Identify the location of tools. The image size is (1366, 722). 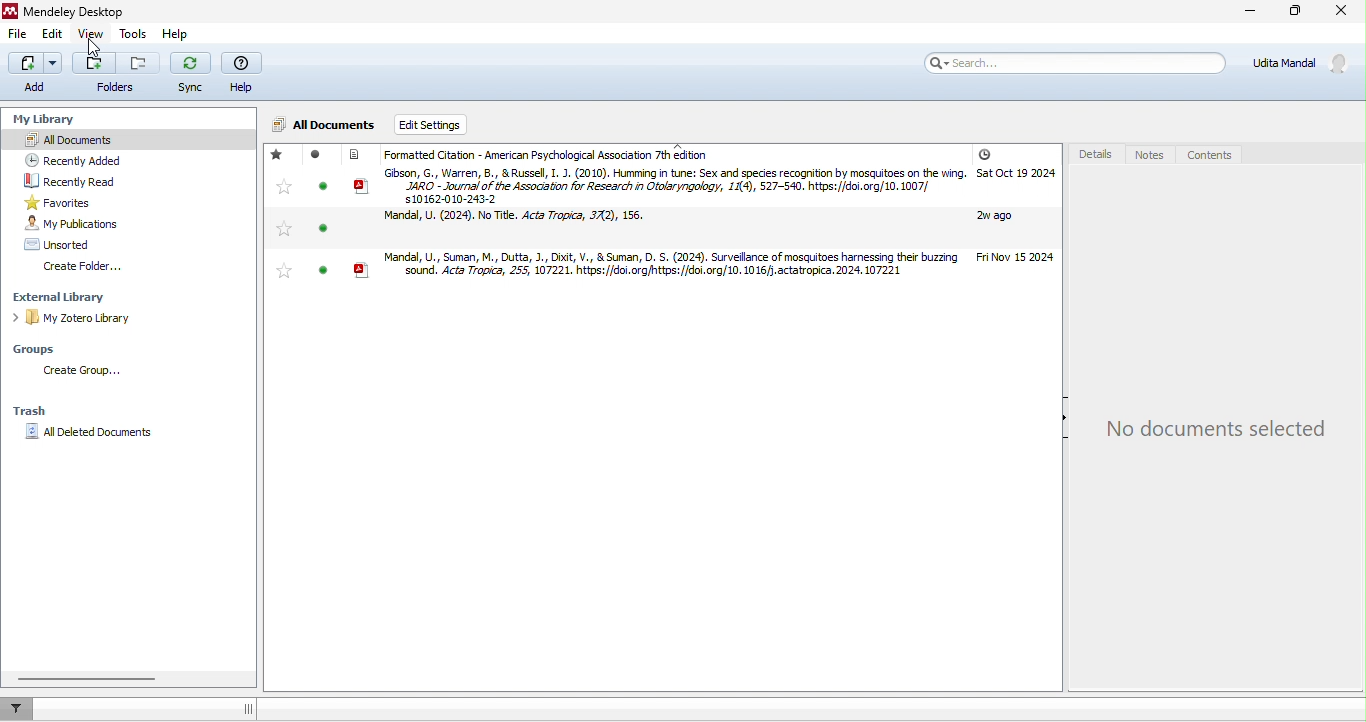
(134, 36).